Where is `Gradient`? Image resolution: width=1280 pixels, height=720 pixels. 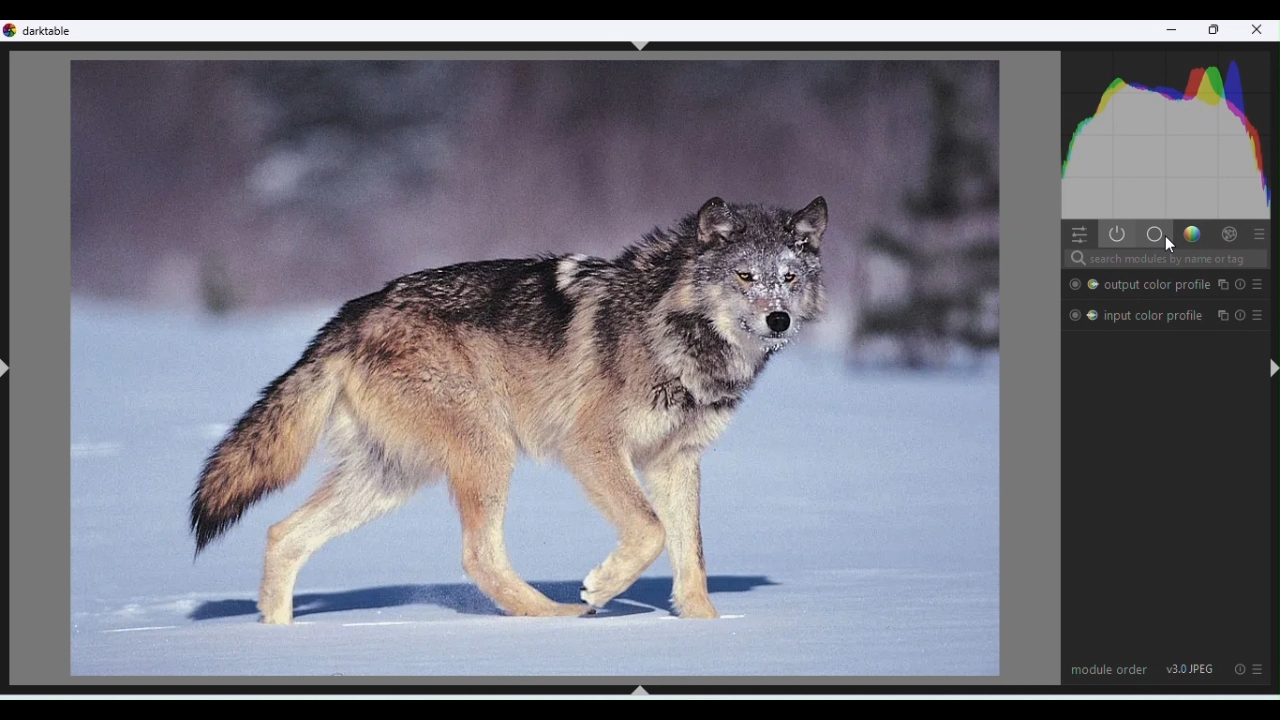 Gradient is located at coordinates (1190, 232).